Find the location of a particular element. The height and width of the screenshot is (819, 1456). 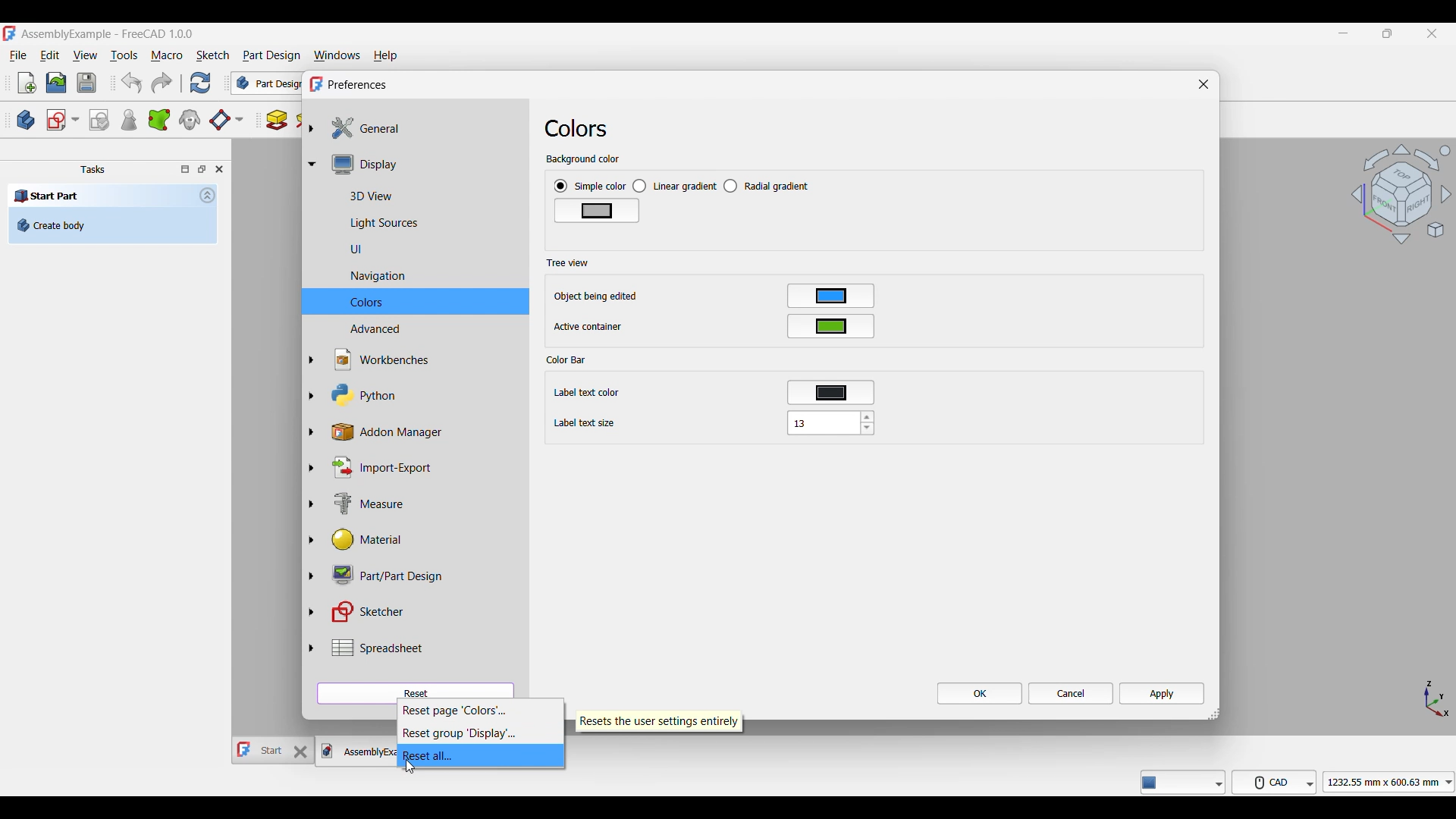

Edit menu is located at coordinates (50, 55).